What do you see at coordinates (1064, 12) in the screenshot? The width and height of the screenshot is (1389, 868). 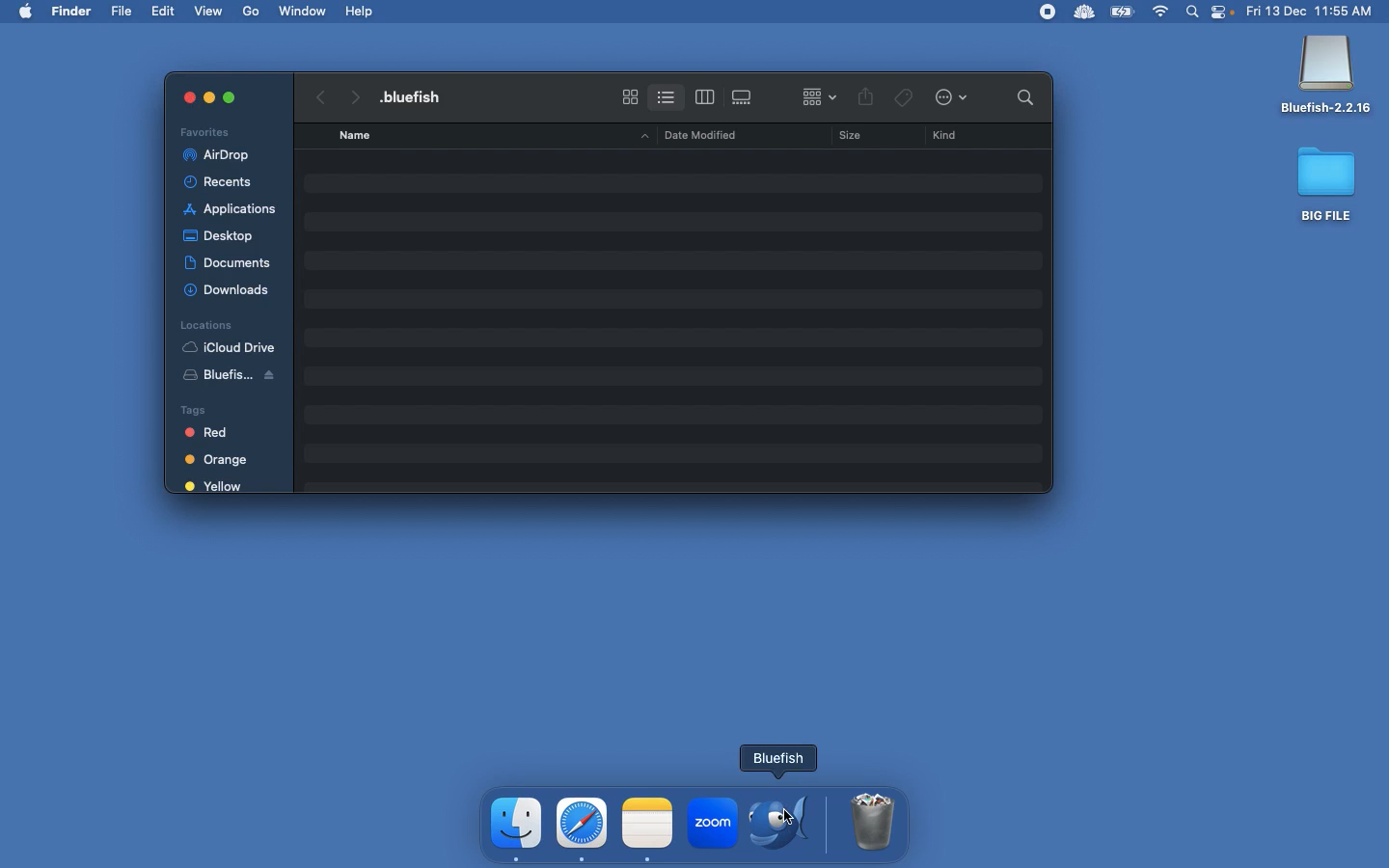 I see `Extensions` at bounding box center [1064, 12].